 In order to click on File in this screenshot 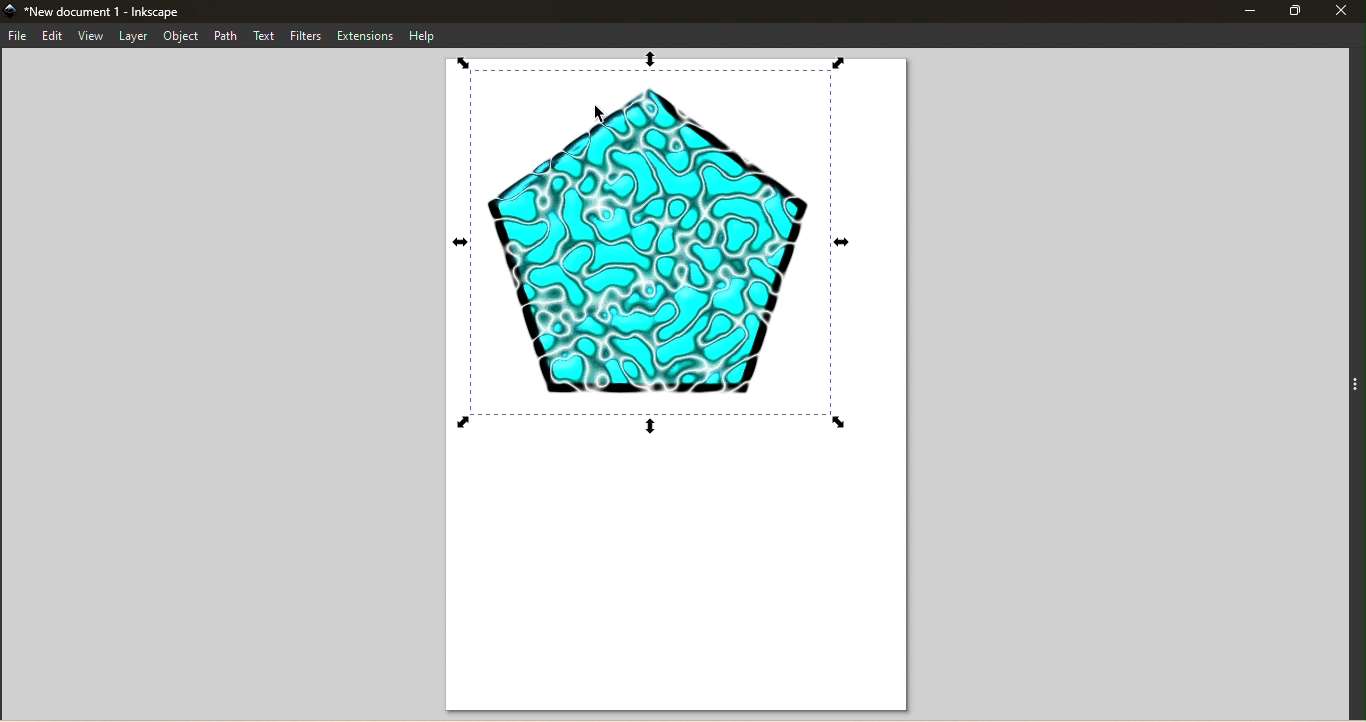, I will do `click(18, 37)`.